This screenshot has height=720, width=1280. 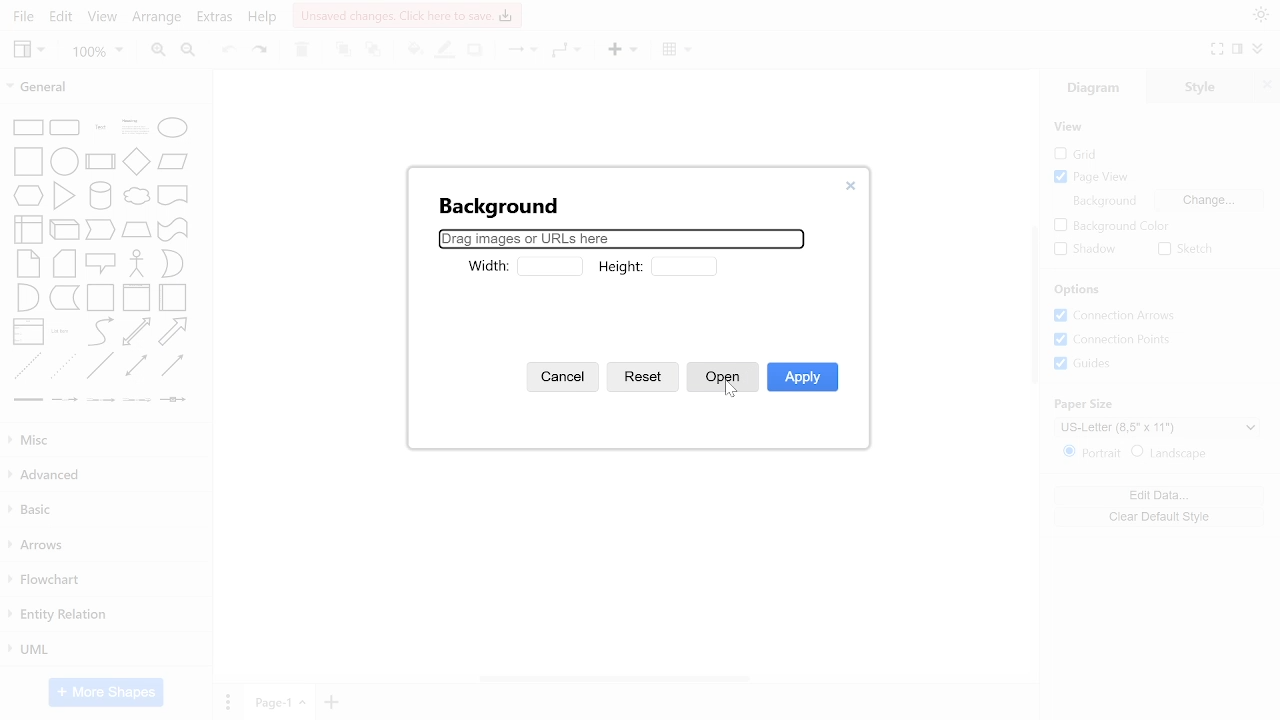 What do you see at coordinates (1266, 87) in the screenshot?
I see `close` at bounding box center [1266, 87].